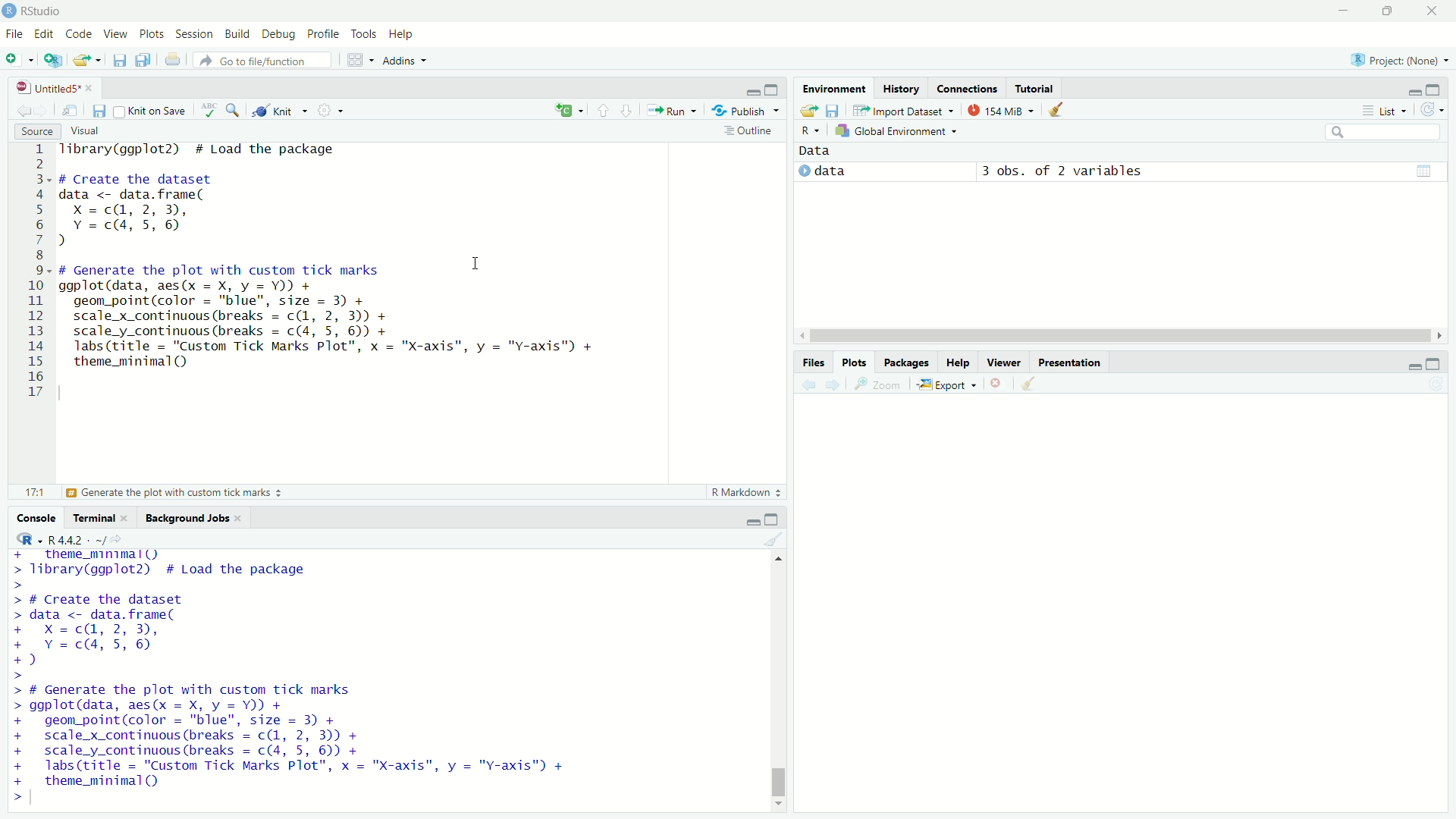  I want to click on print the current file, so click(168, 60).